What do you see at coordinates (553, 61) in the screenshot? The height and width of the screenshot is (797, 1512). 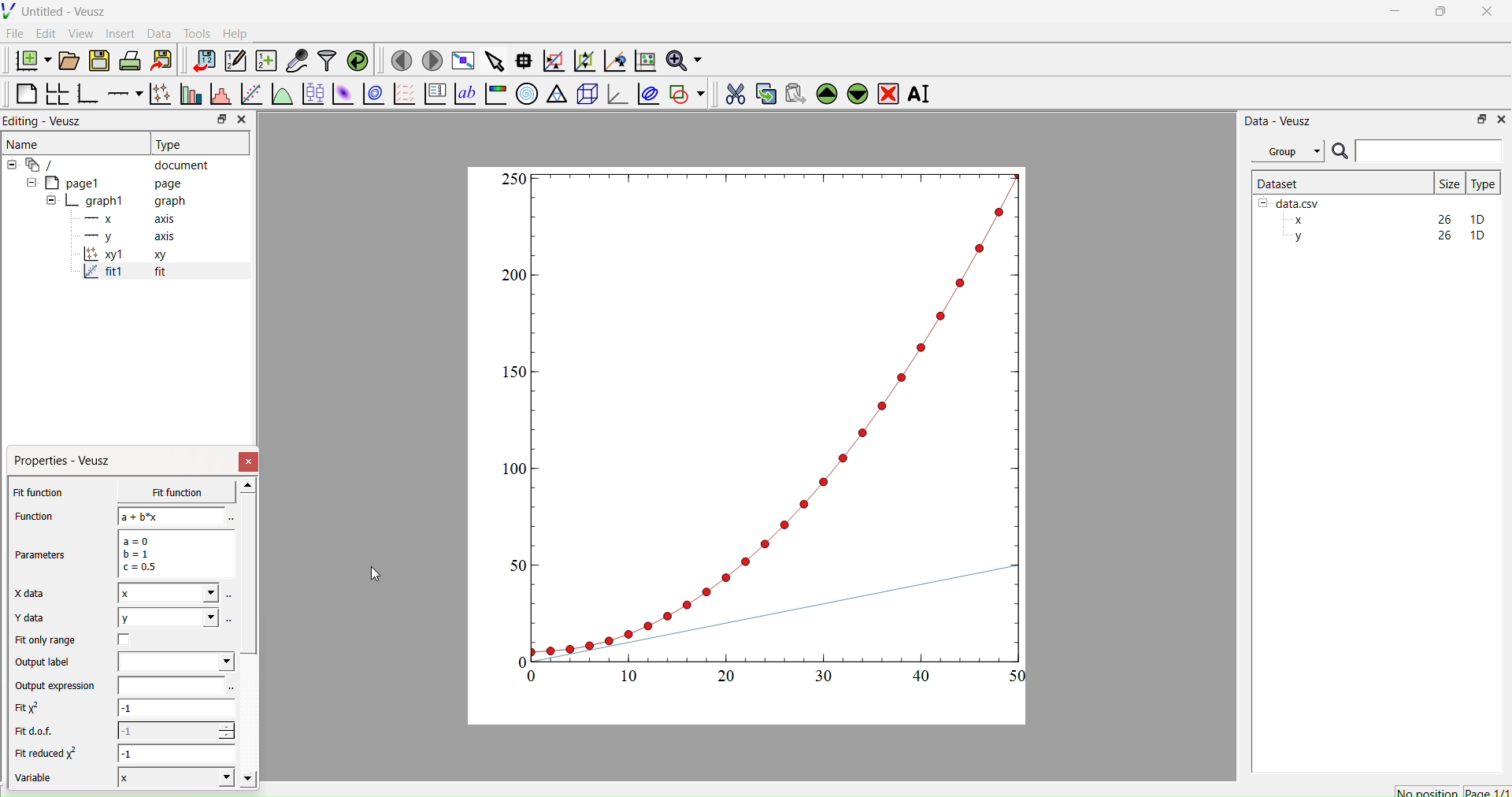 I see `Zoom graph axes` at bounding box center [553, 61].